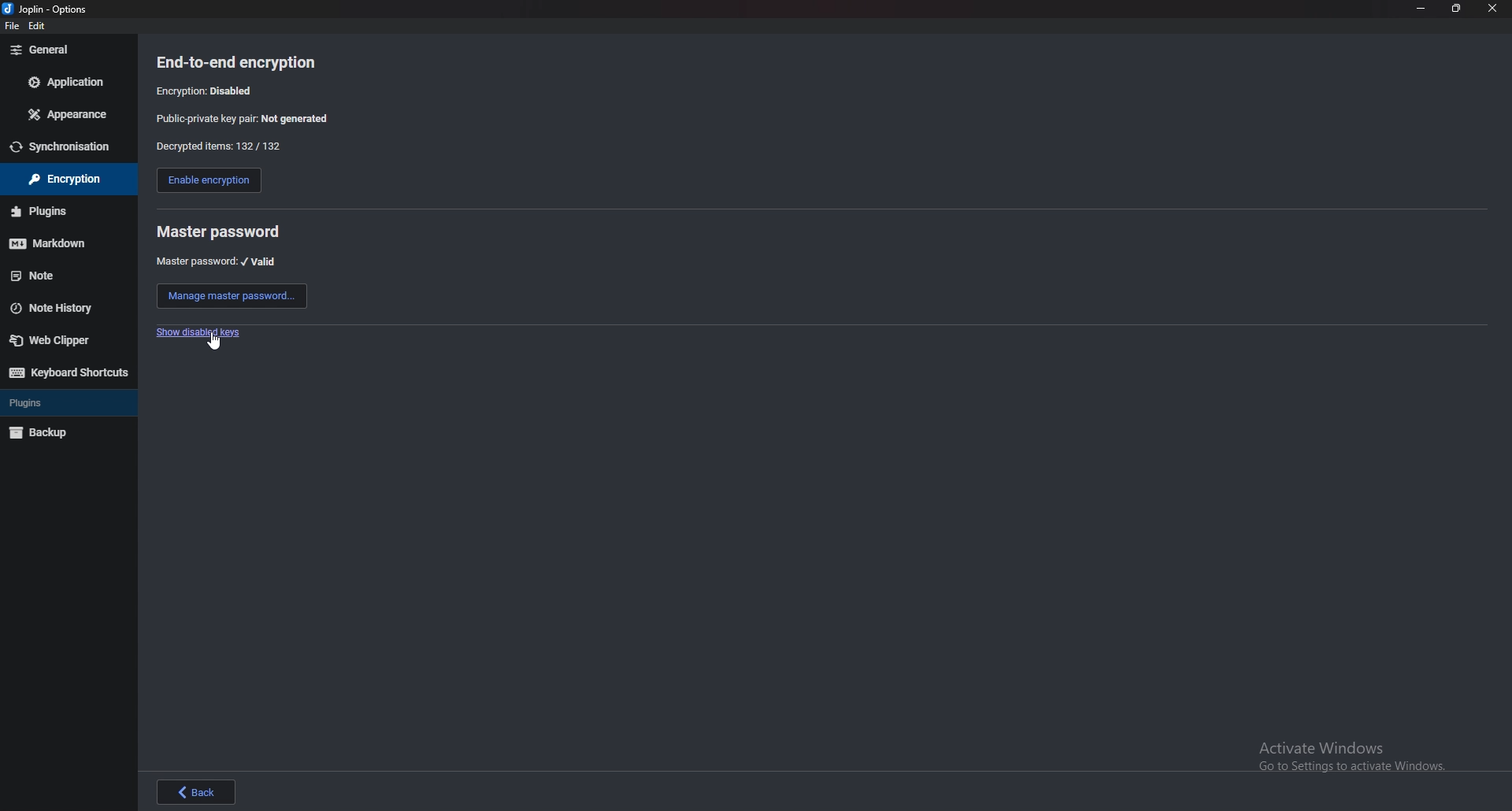 The height and width of the screenshot is (811, 1512). Describe the element at coordinates (64, 275) in the screenshot. I see `note` at that location.